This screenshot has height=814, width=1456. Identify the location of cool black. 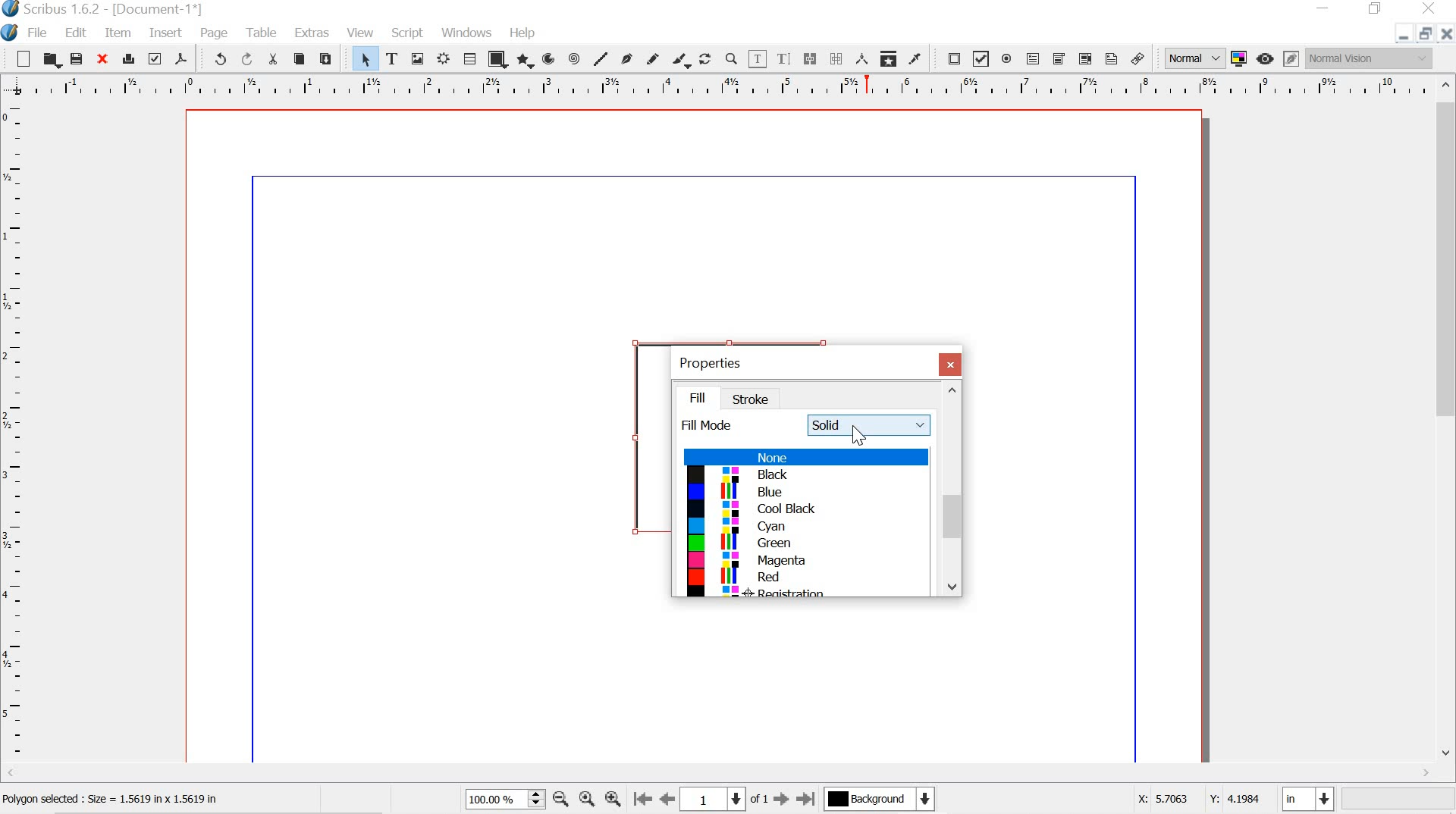
(800, 510).